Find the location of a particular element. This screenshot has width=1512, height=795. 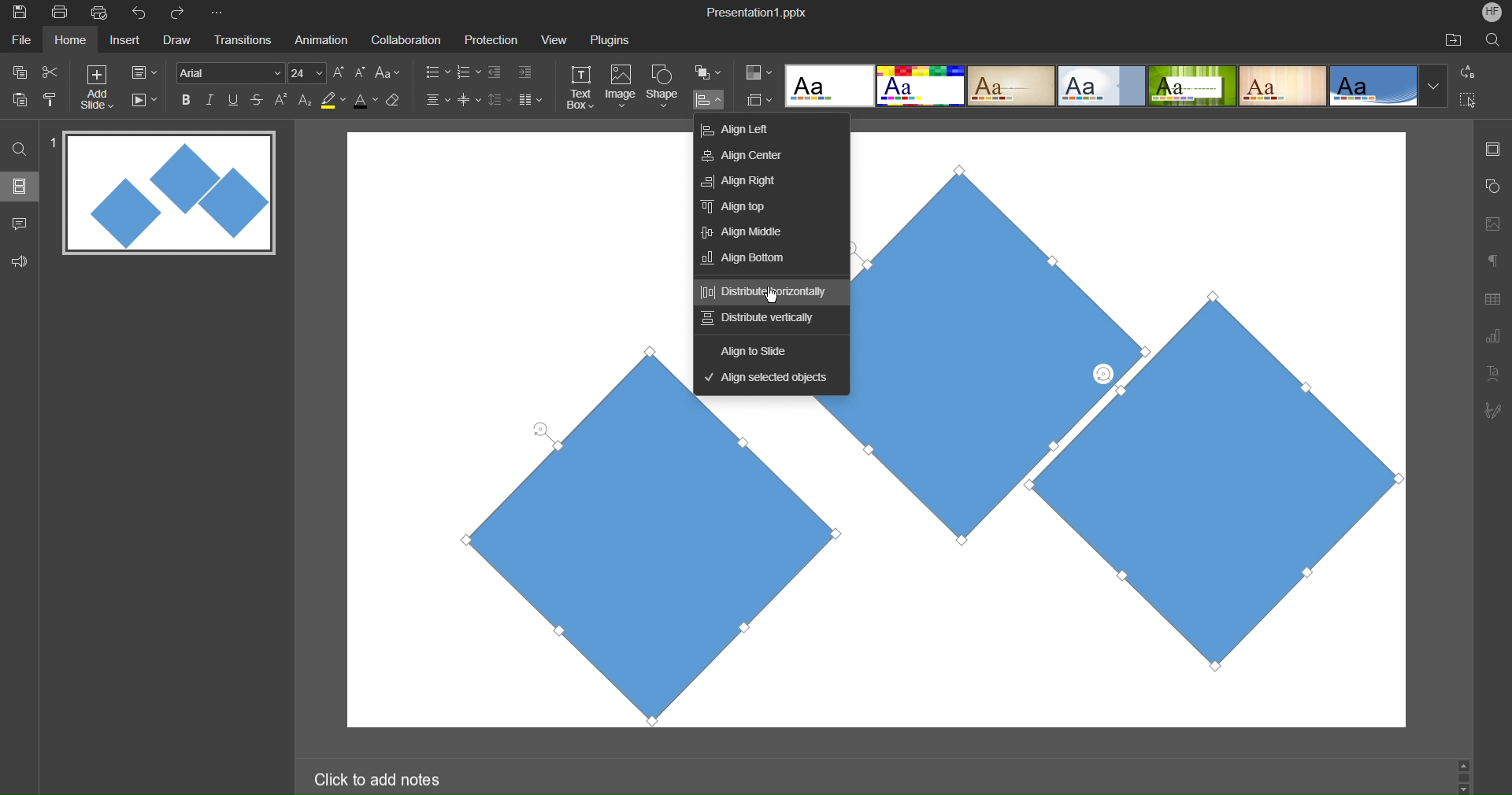

search is located at coordinates (20, 148).